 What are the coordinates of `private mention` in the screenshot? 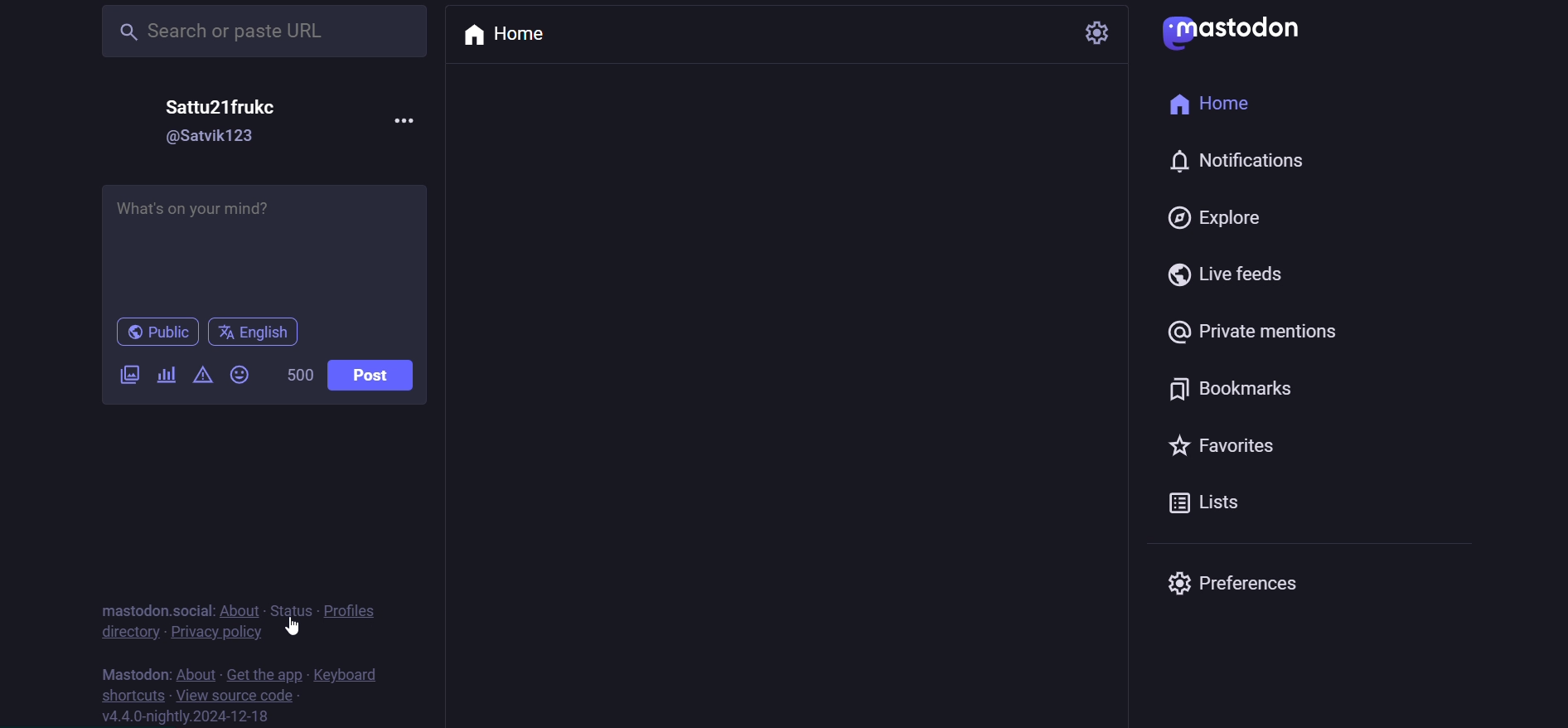 It's located at (1257, 333).